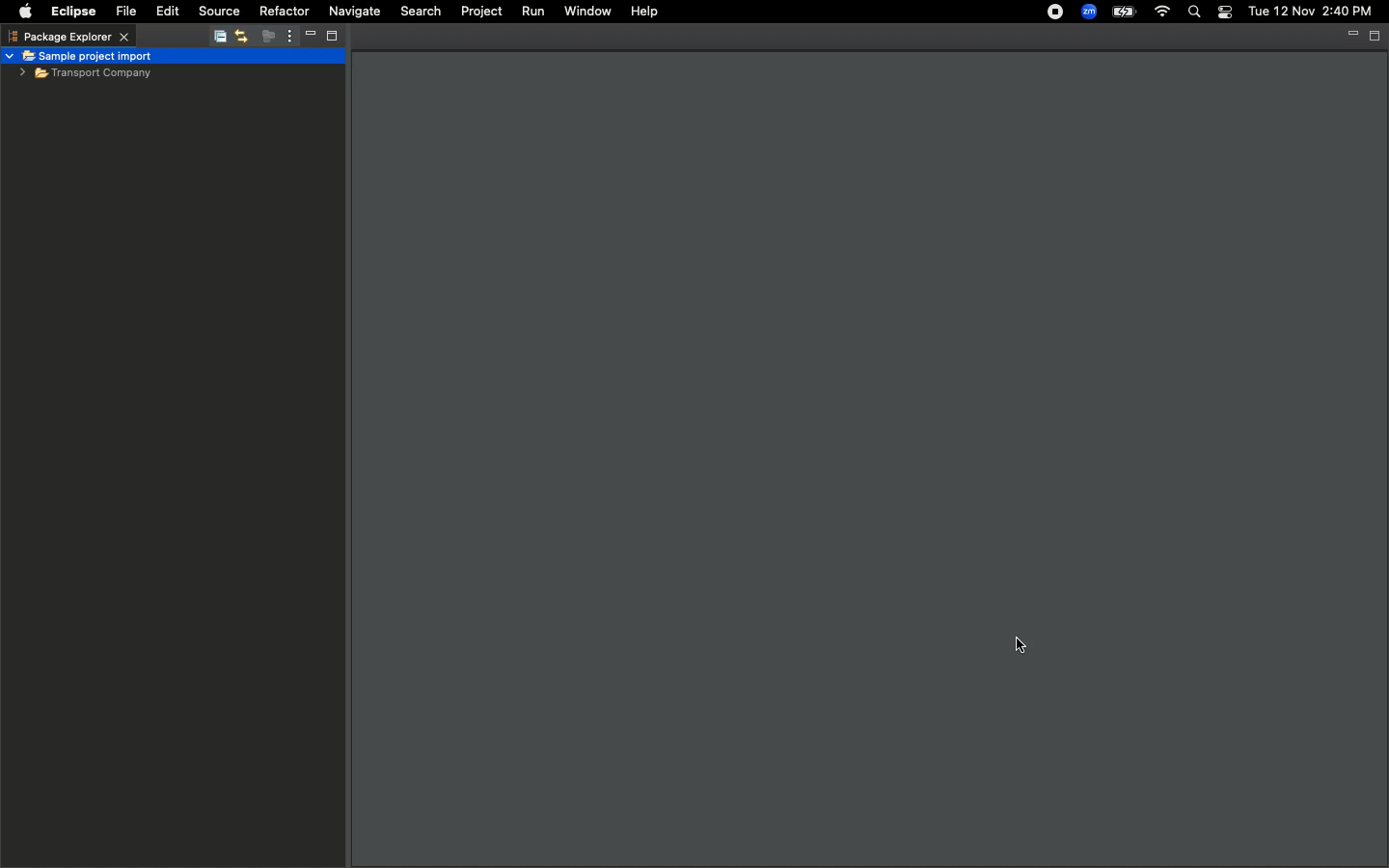 The height and width of the screenshot is (868, 1389). I want to click on Run, so click(535, 12).